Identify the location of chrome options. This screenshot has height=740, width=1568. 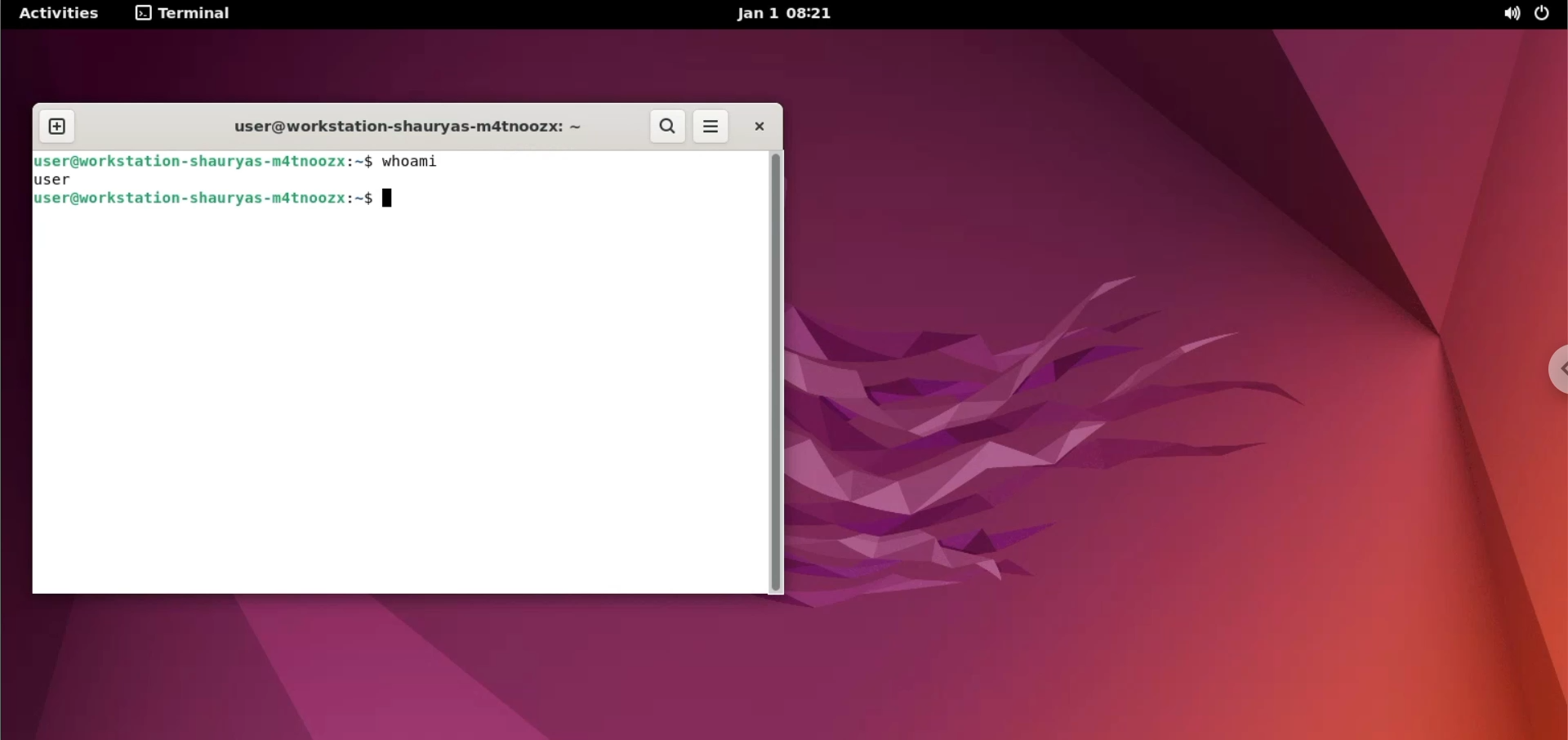
(1545, 368).